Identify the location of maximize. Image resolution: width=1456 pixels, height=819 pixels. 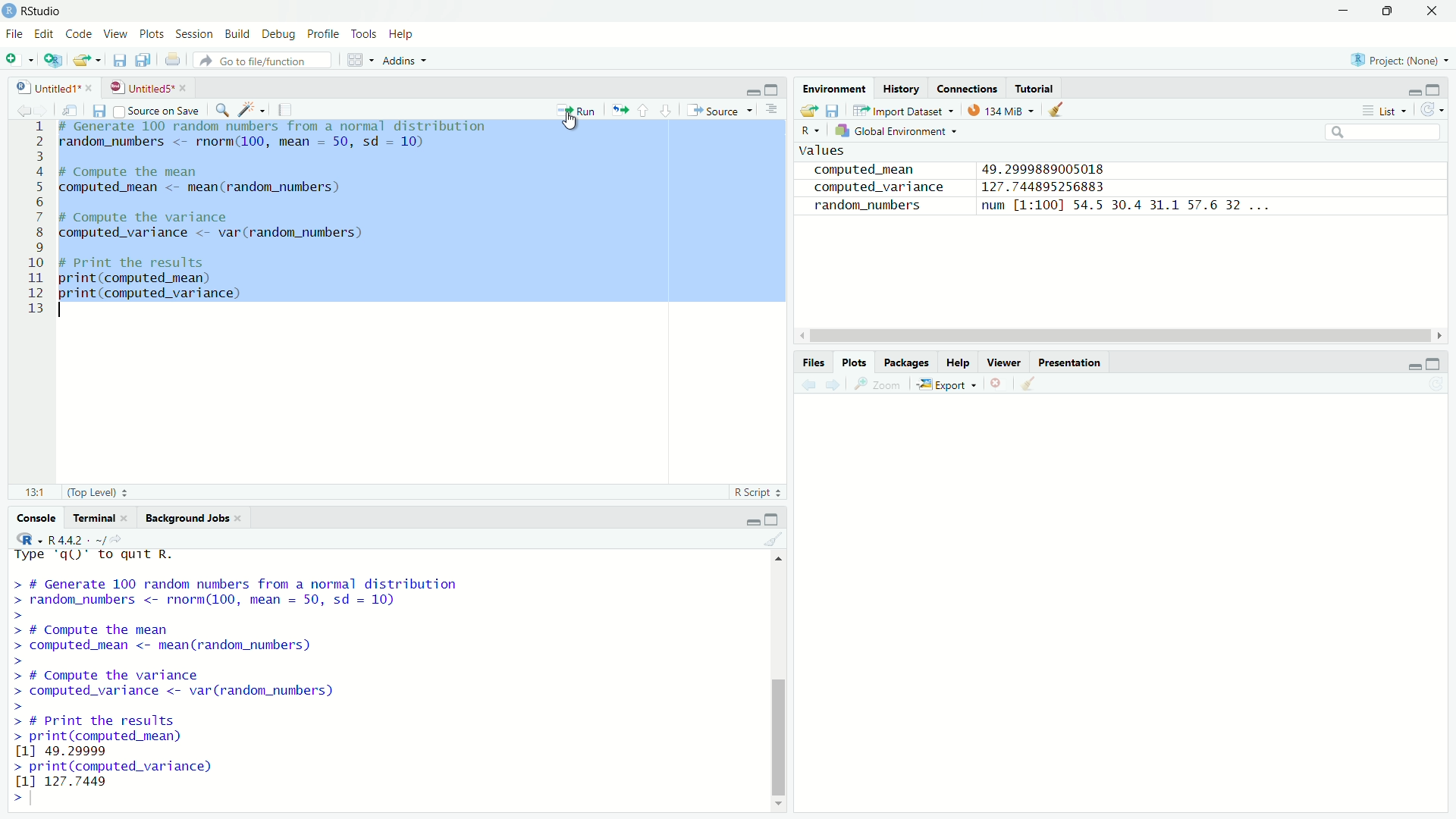
(773, 86).